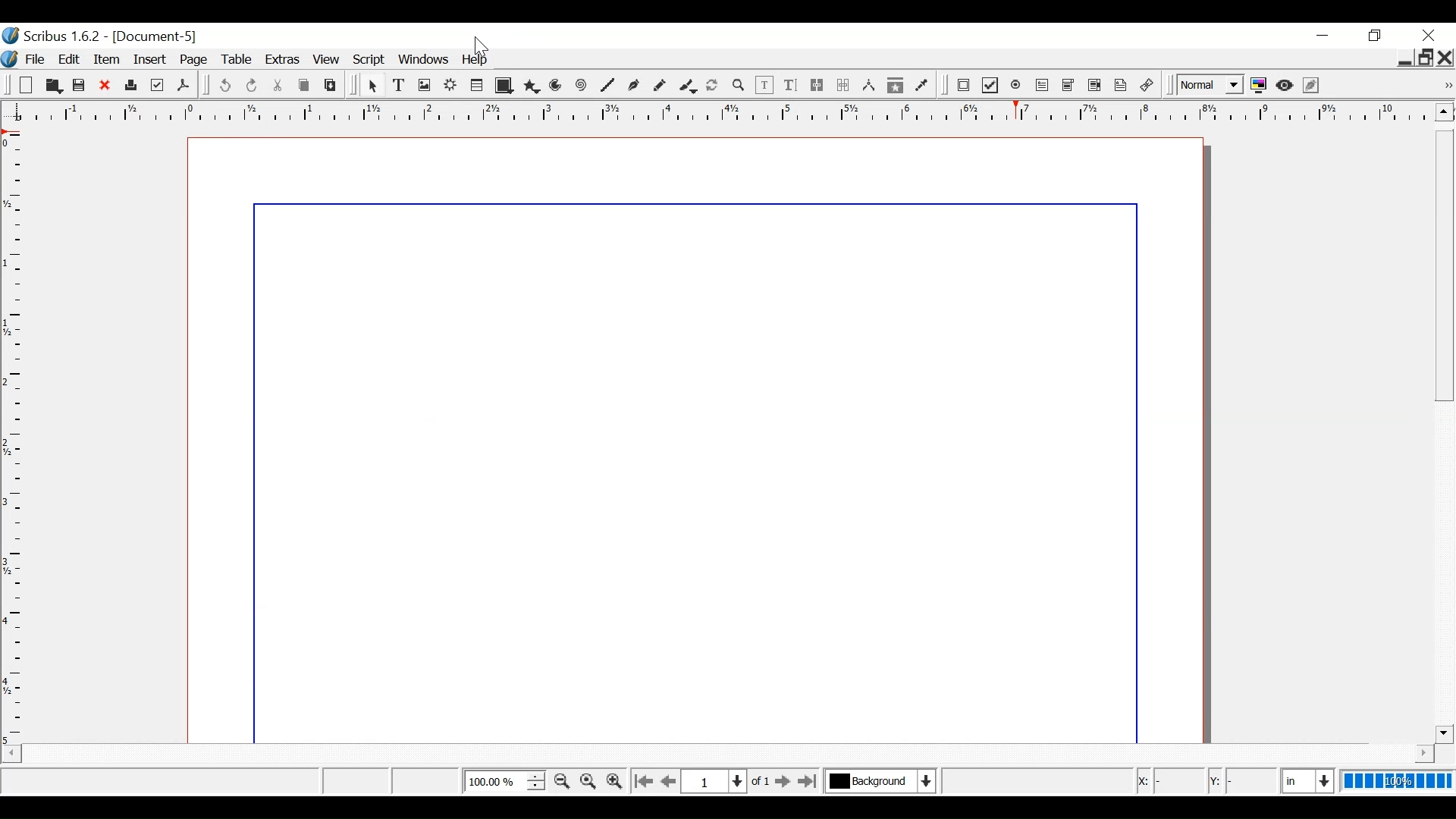 The image size is (1456, 819). What do you see at coordinates (712, 85) in the screenshot?
I see `Rotate` at bounding box center [712, 85].